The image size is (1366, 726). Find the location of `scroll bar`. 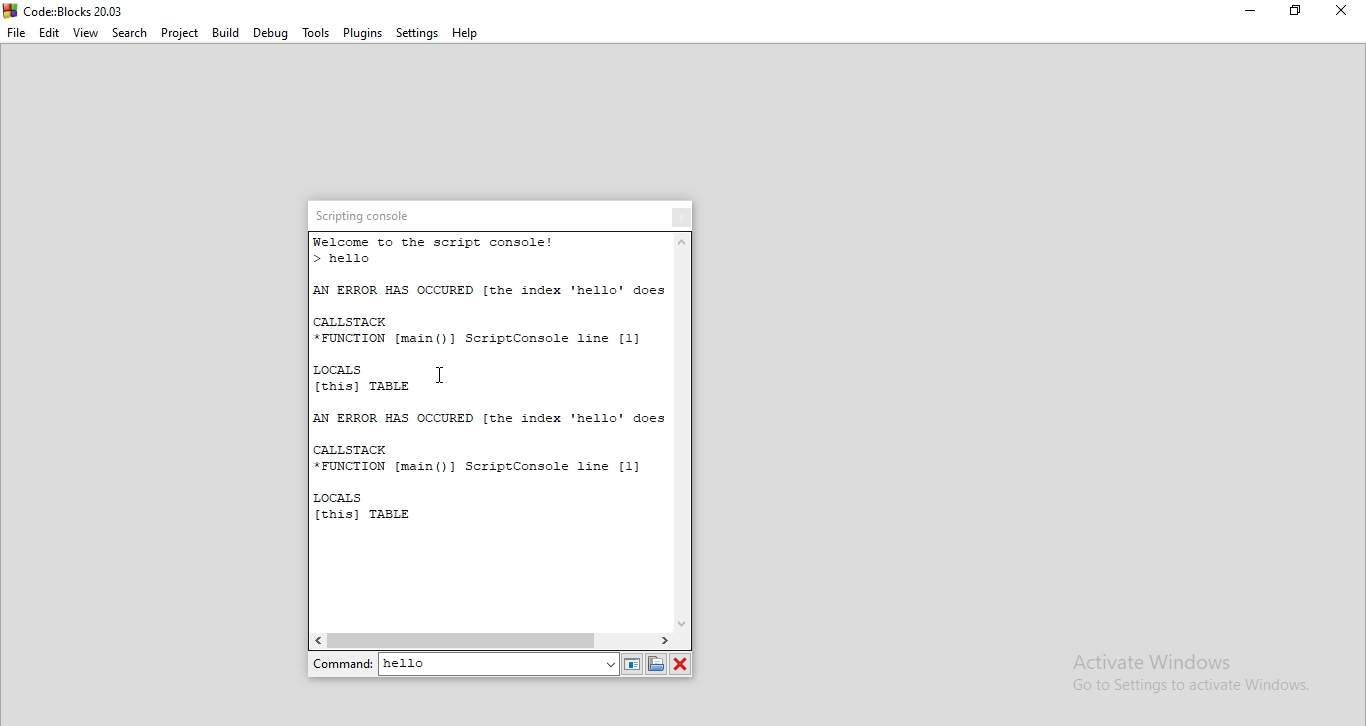

scroll bar is located at coordinates (501, 639).